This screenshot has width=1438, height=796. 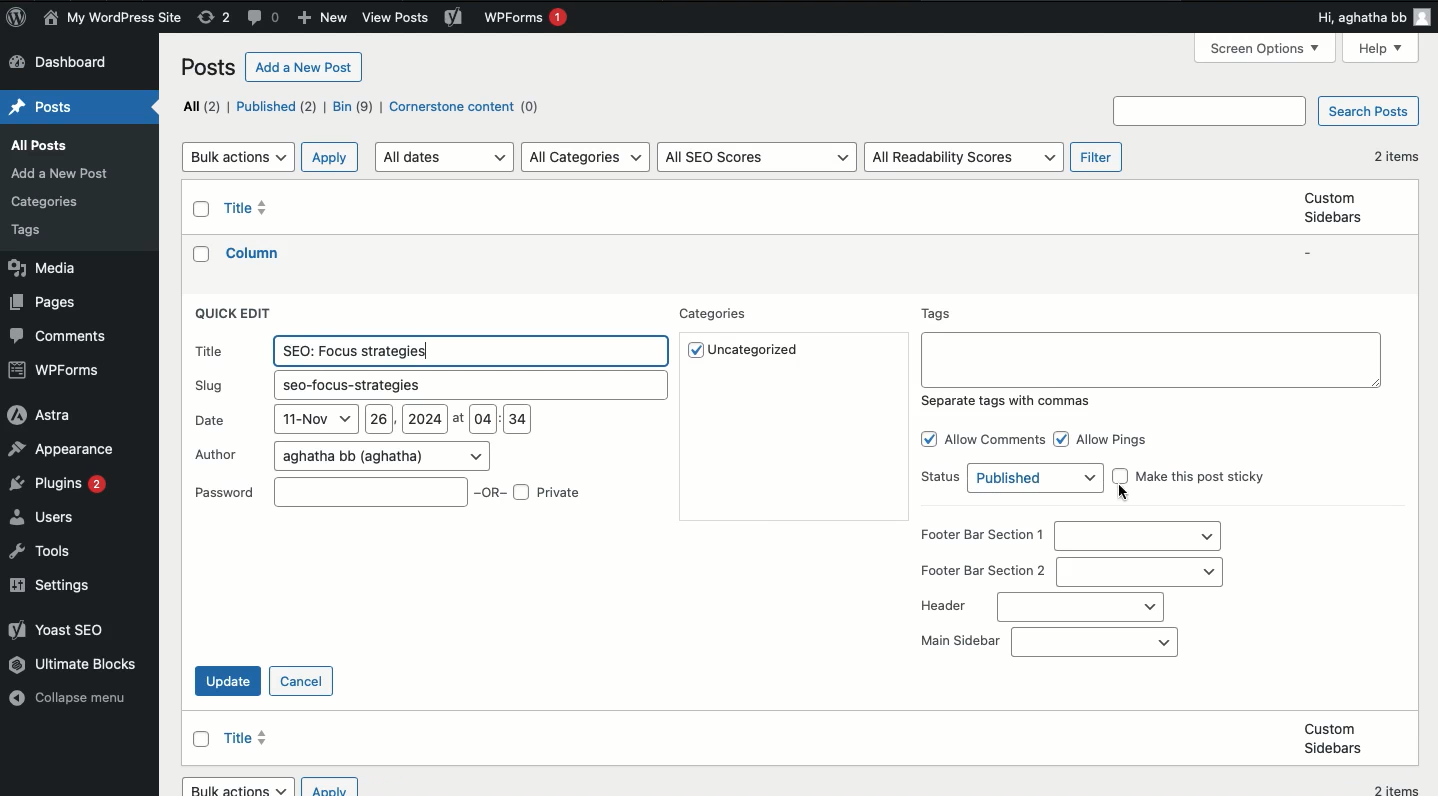 What do you see at coordinates (1150, 358) in the screenshot?
I see `Text` at bounding box center [1150, 358].